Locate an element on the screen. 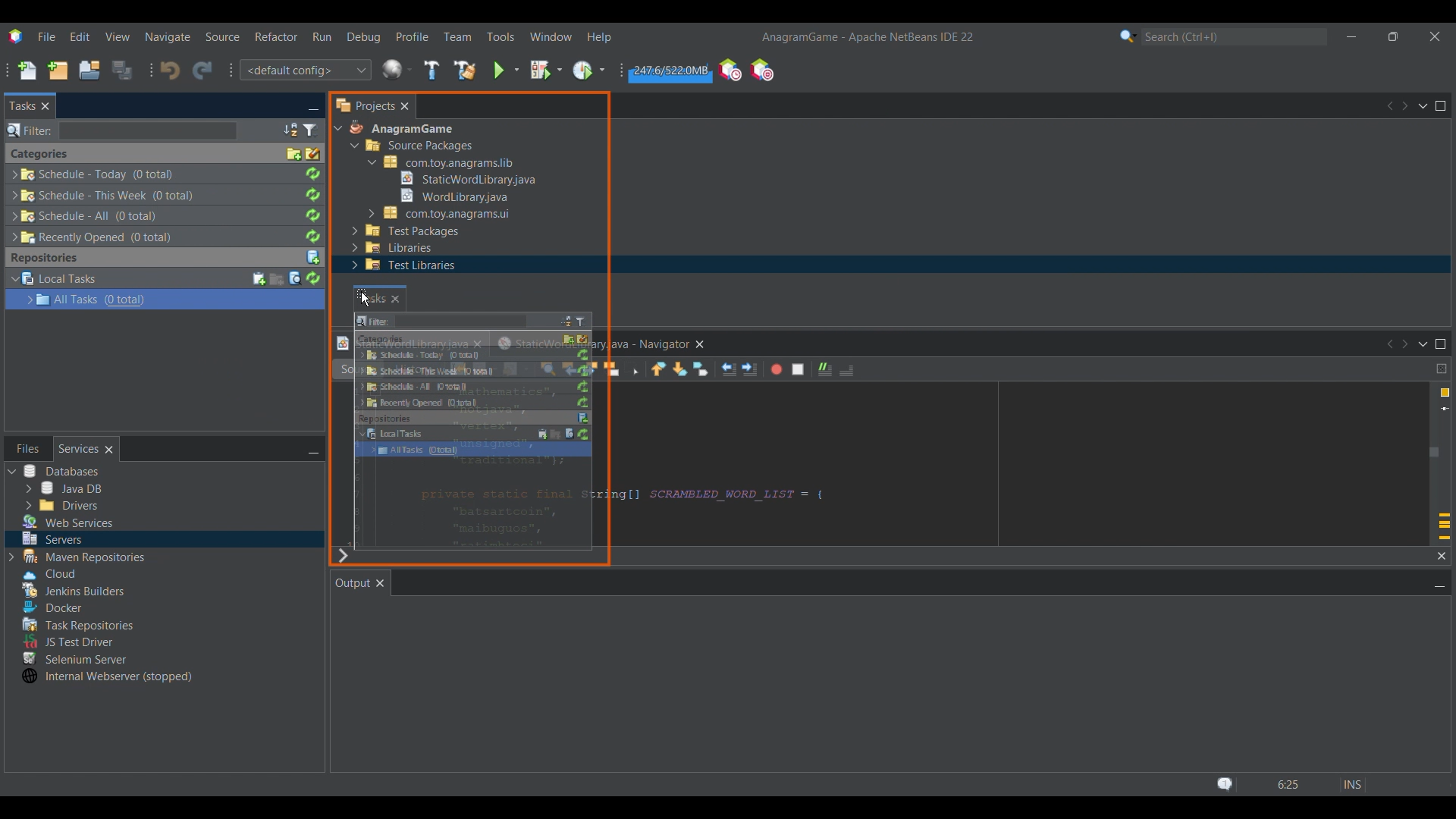  Refresh respective task is located at coordinates (312, 206).